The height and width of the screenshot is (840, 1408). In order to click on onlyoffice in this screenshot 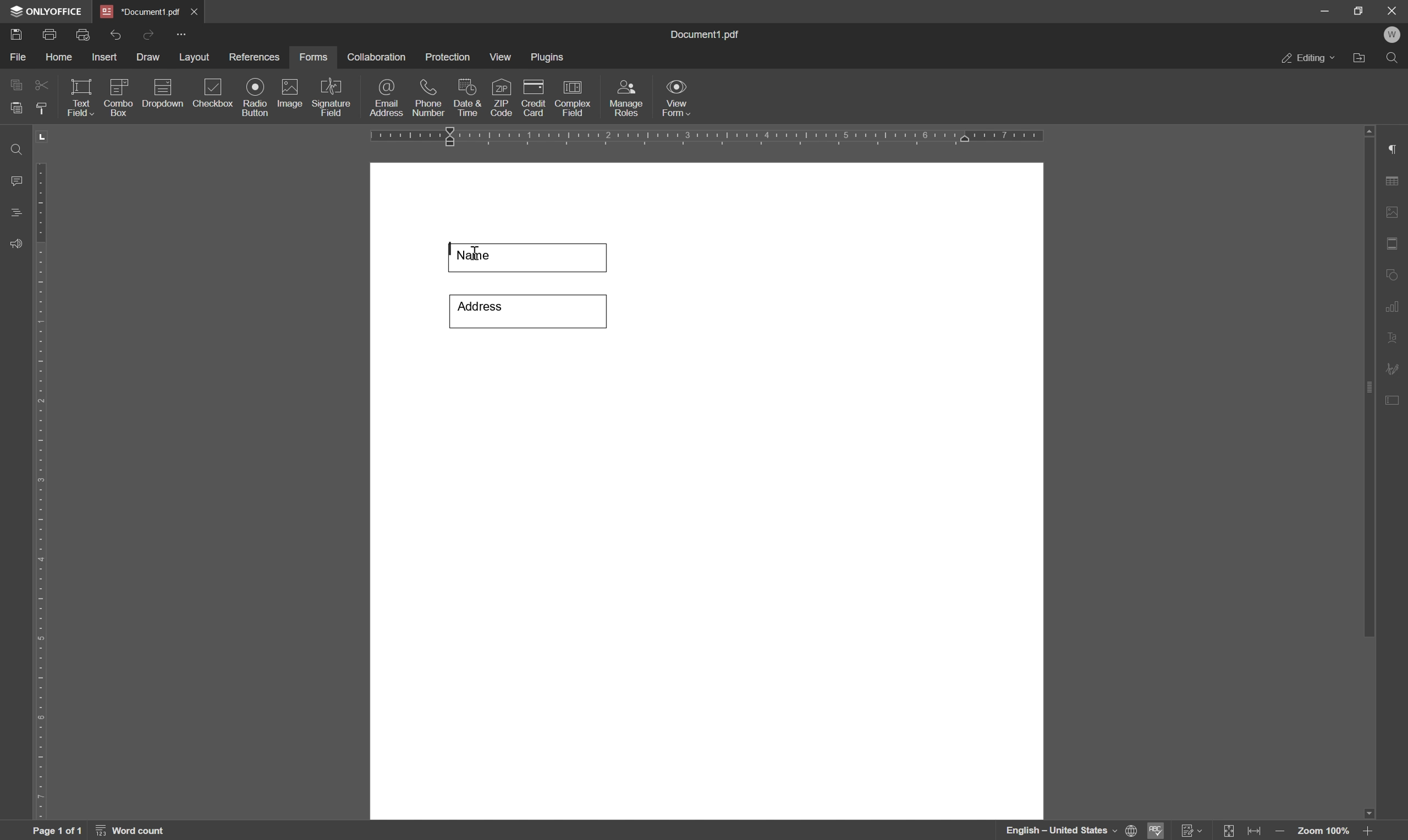, I will do `click(48, 12)`.